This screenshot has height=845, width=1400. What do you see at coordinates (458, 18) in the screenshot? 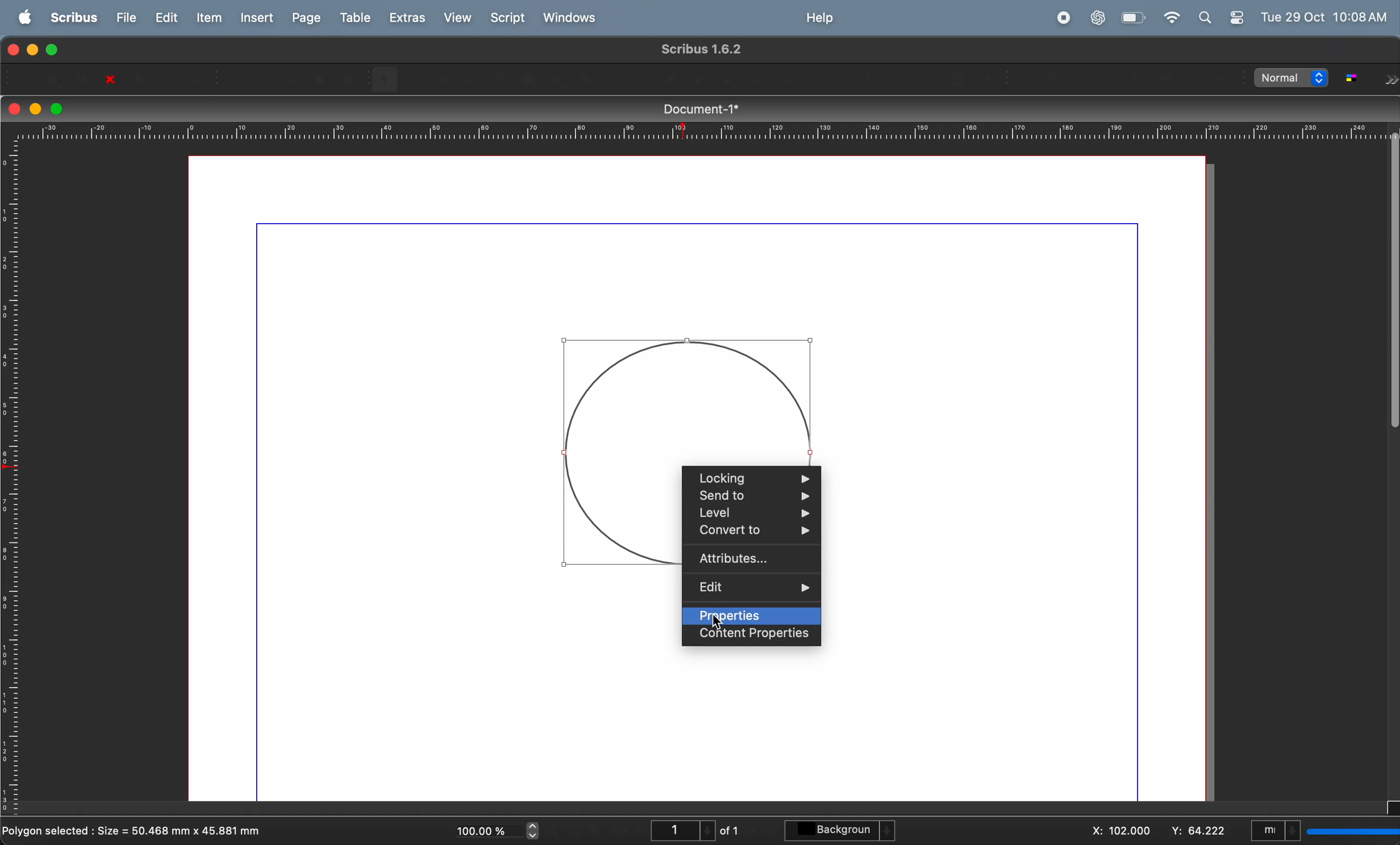
I see `view` at bounding box center [458, 18].